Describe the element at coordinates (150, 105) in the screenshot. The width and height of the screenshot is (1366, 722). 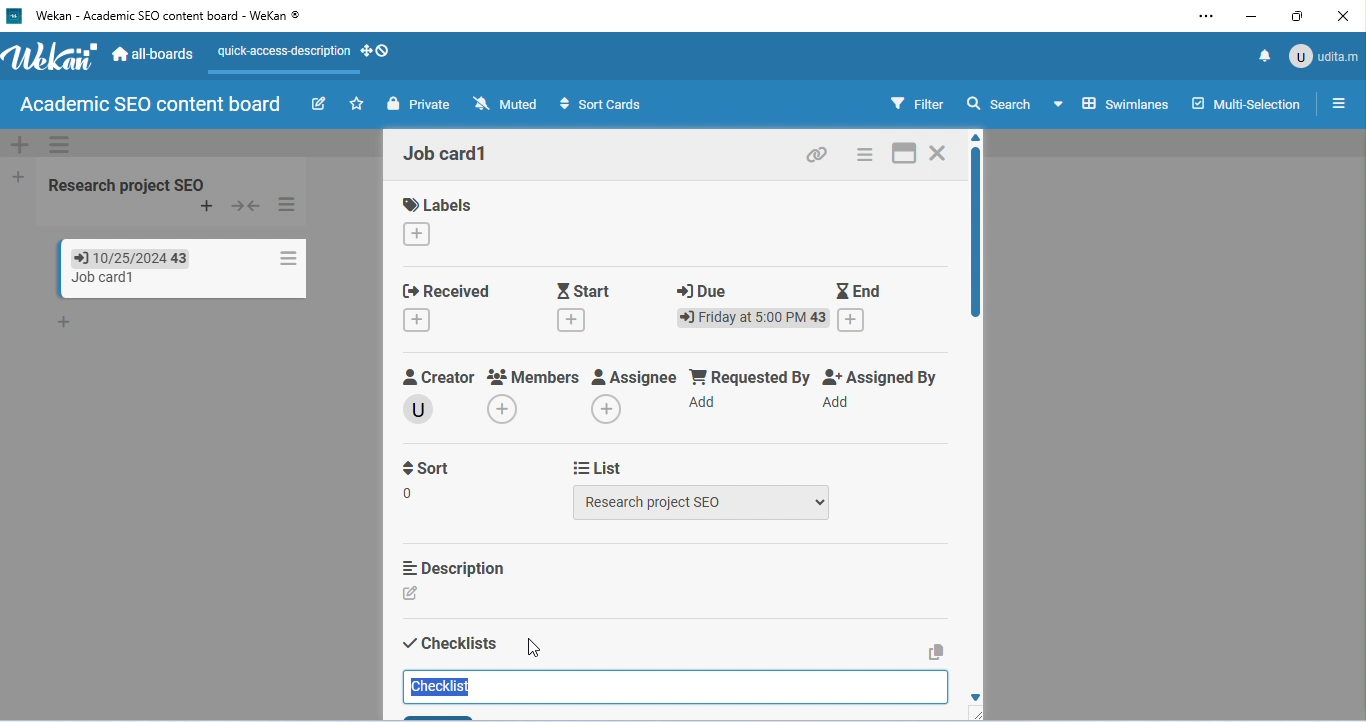
I see `board name: academic SEO content board` at that location.